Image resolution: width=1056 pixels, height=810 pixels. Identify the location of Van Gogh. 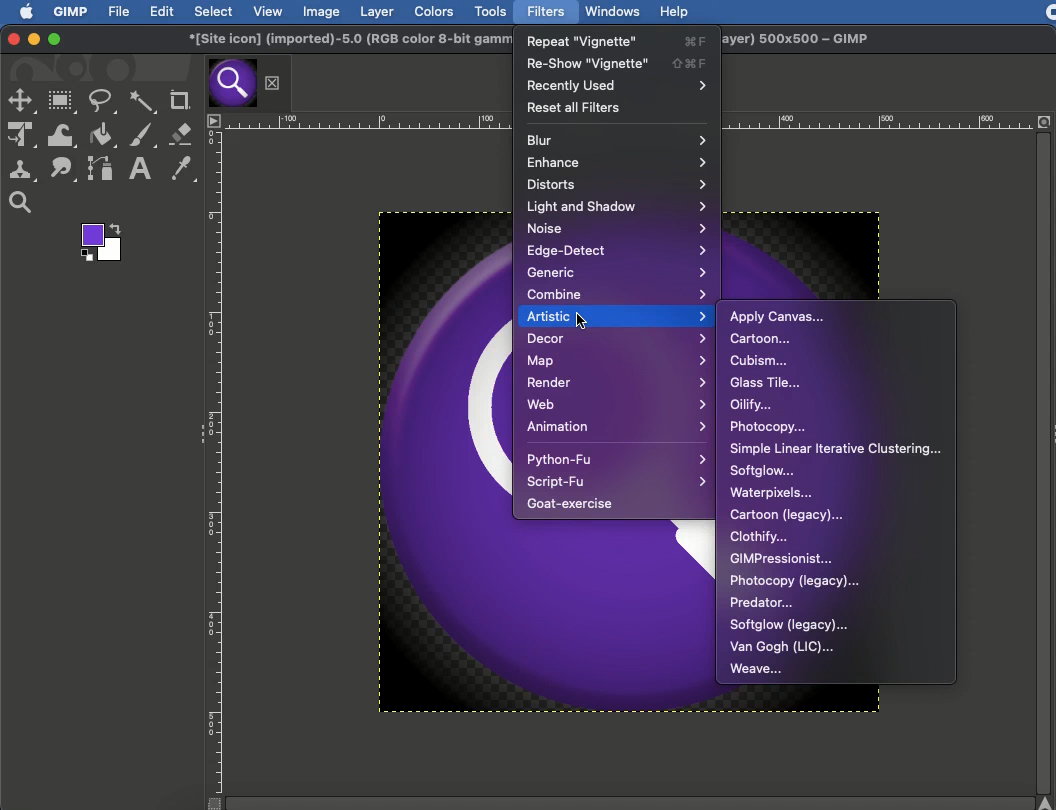
(782, 648).